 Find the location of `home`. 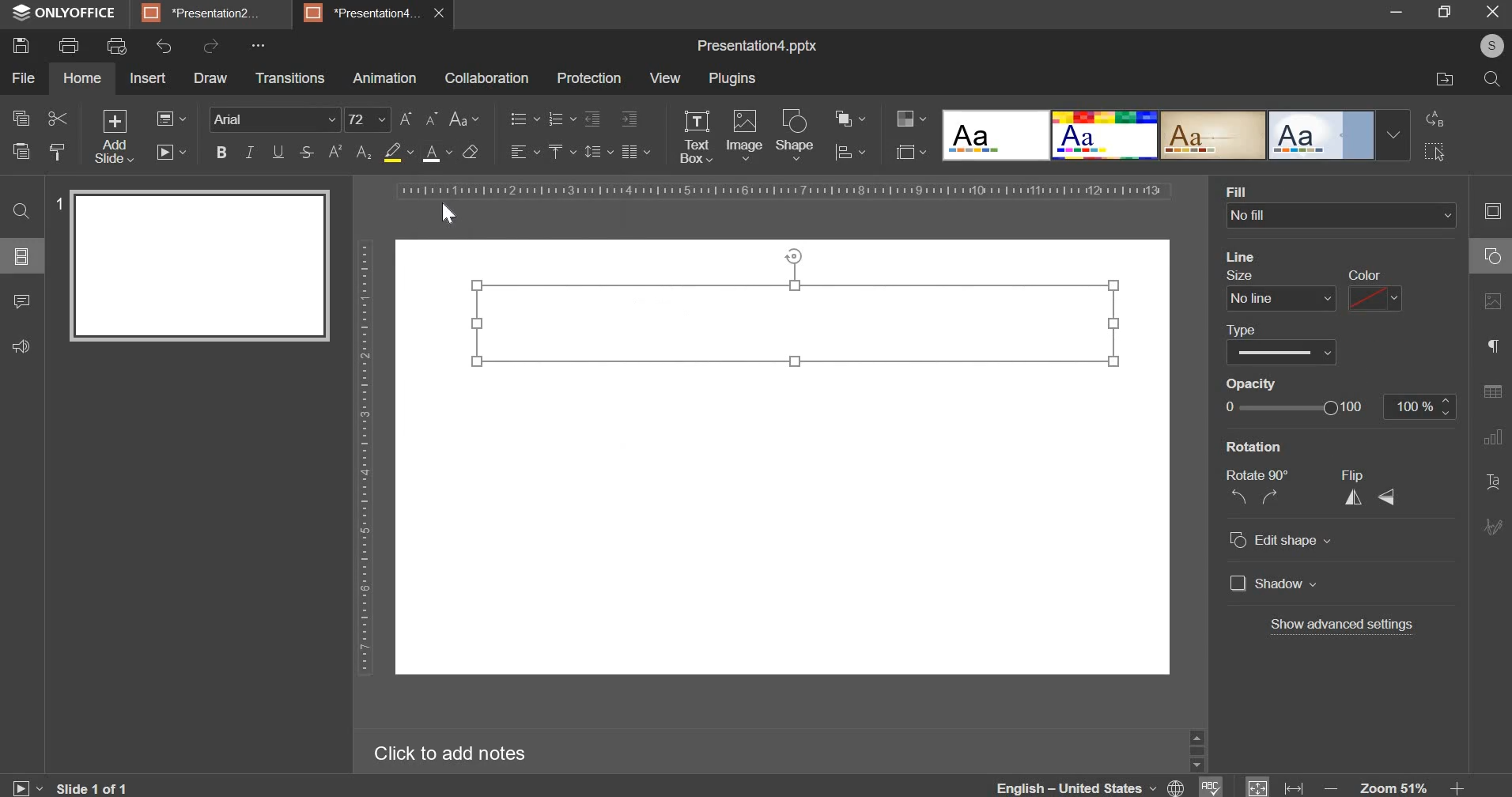

home is located at coordinates (82, 77).